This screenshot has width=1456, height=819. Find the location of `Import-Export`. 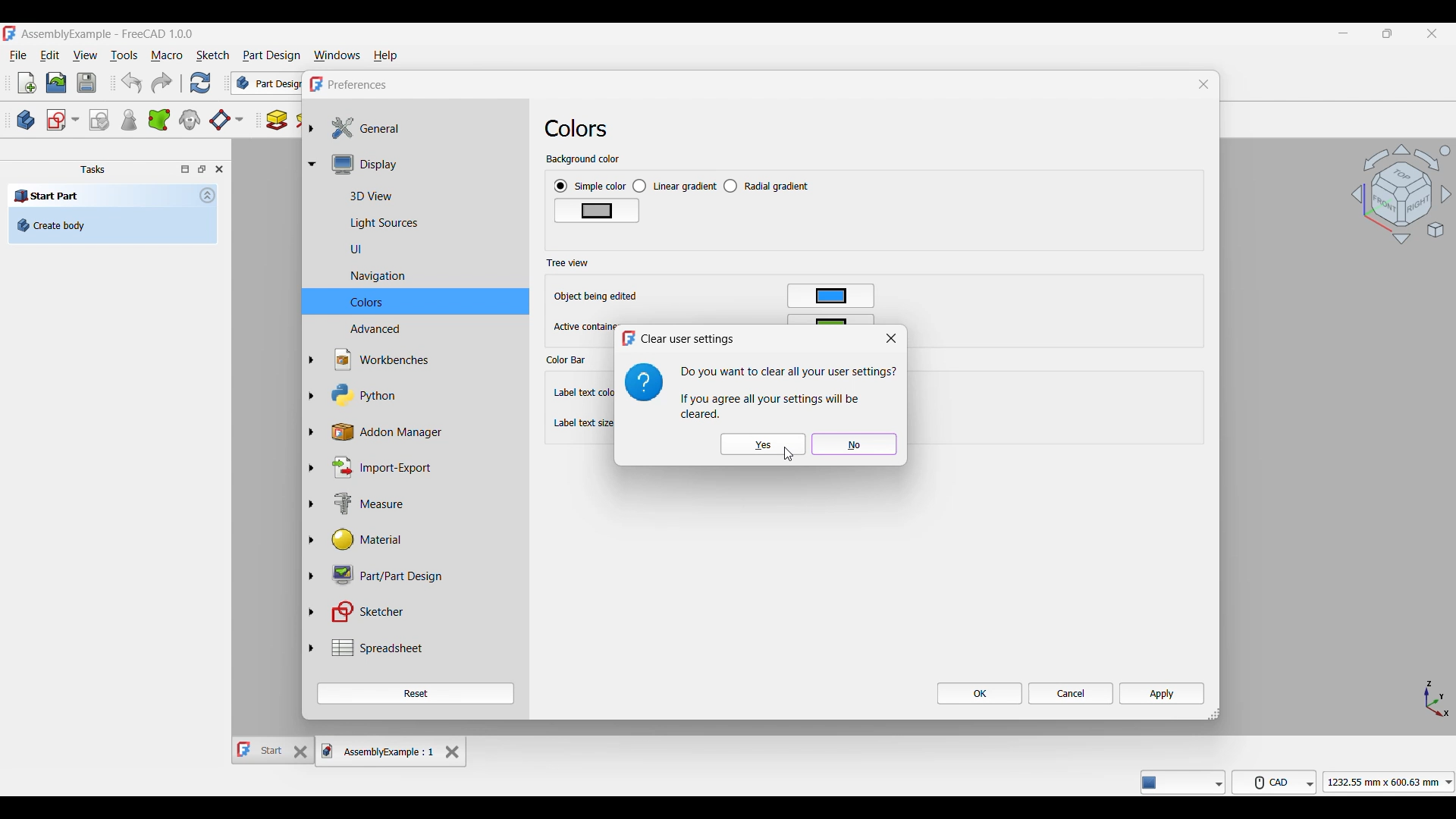

Import-Export is located at coordinates (375, 469).